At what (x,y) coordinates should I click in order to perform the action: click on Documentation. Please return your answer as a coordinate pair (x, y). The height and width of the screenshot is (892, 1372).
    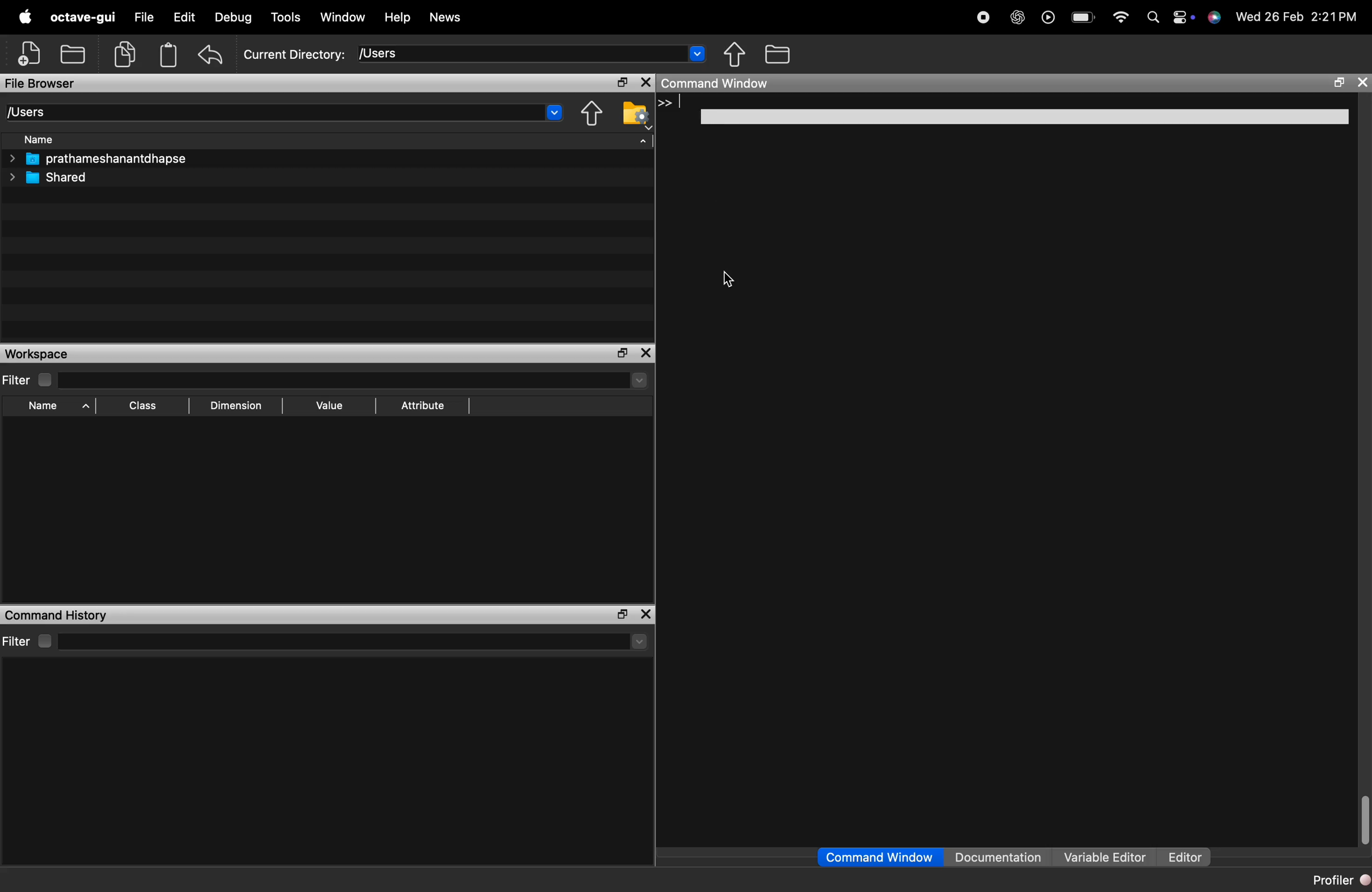
    Looking at the image, I should click on (1000, 857).